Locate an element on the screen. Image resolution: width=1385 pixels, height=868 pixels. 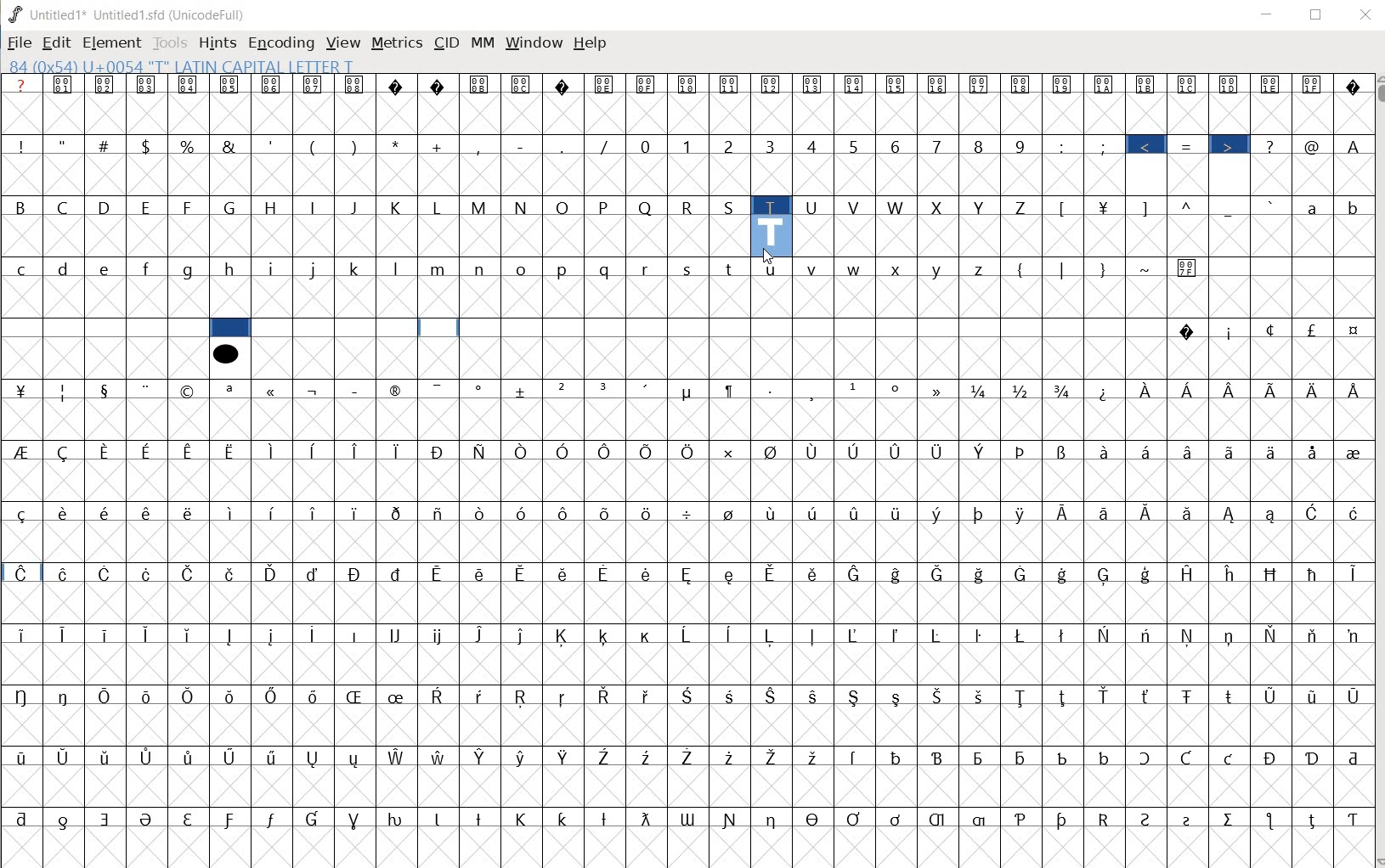
Symbol is located at coordinates (105, 511).